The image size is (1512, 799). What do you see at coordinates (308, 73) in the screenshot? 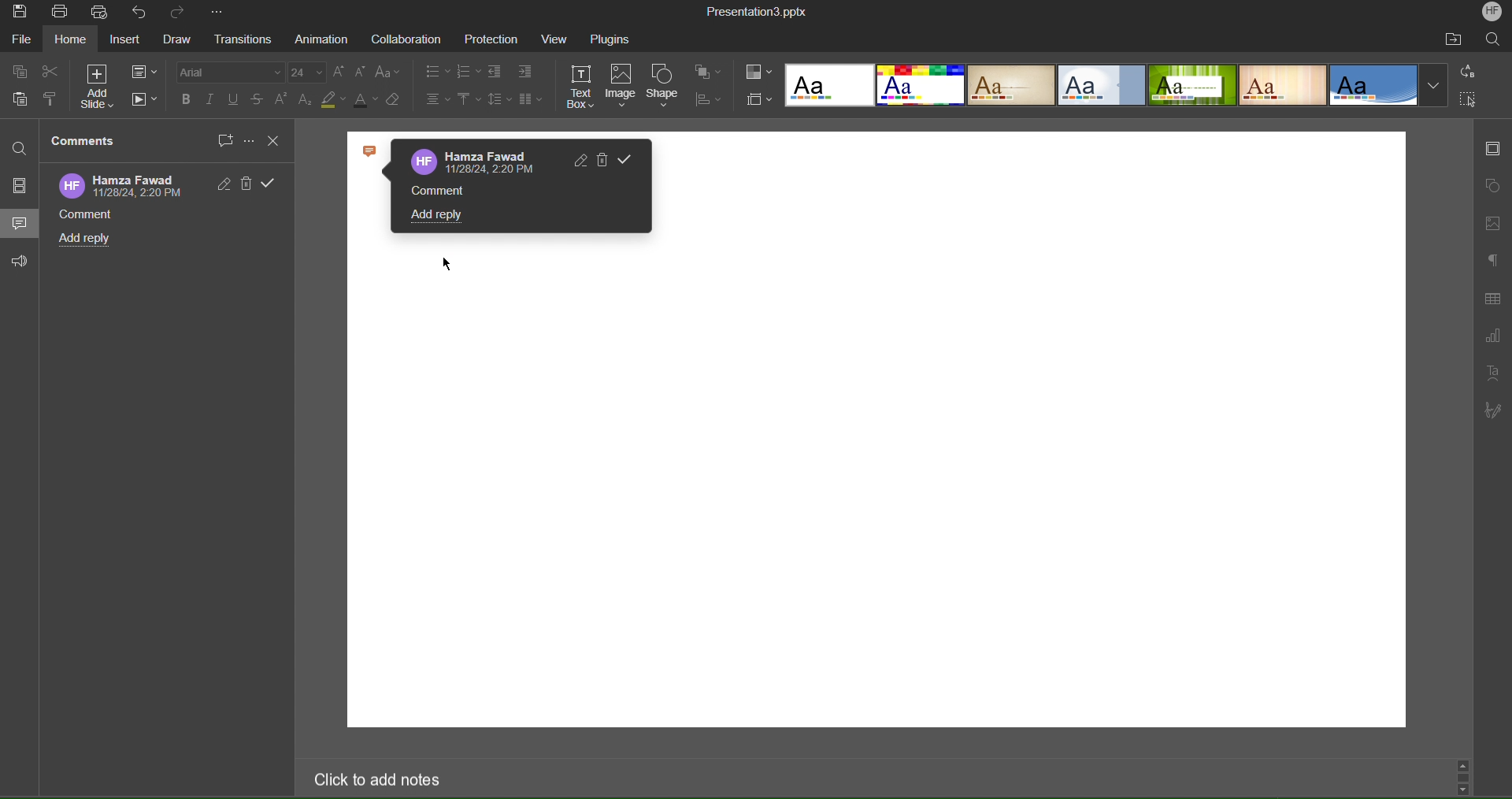
I see `Font Size` at bounding box center [308, 73].